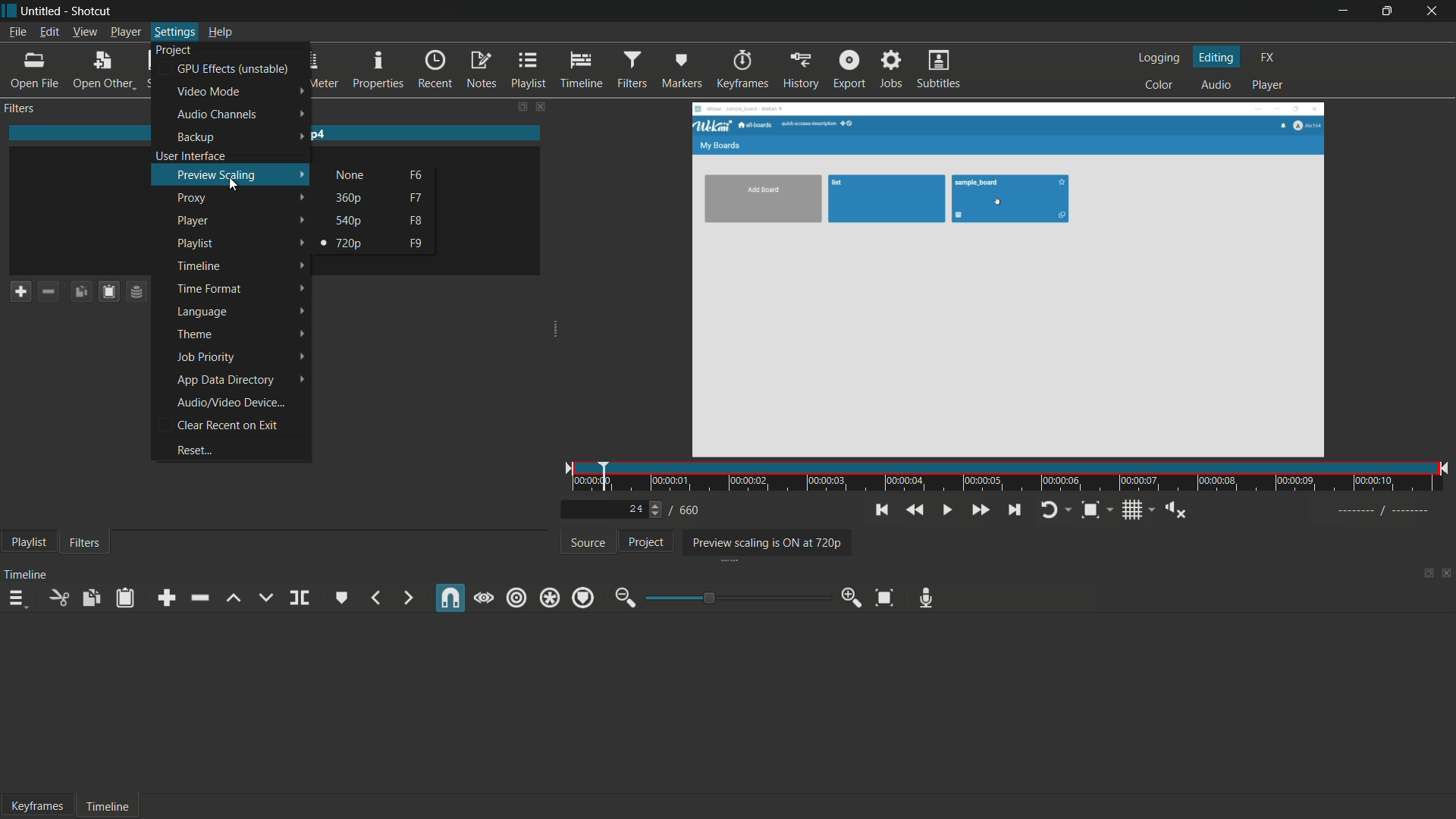  I want to click on open other, so click(102, 69).